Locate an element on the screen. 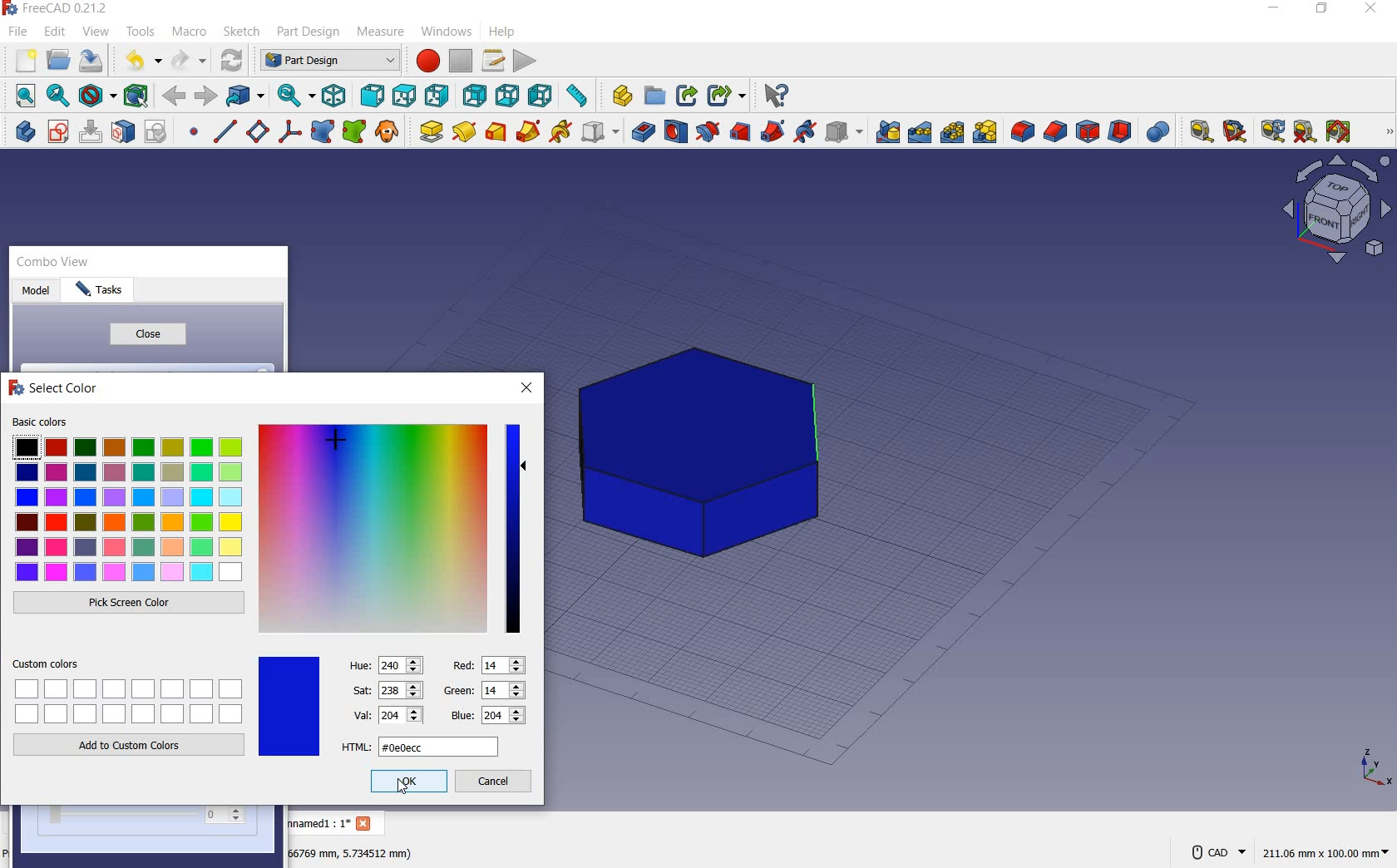 The width and height of the screenshot is (1397, 868). combo view is located at coordinates (55, 264).